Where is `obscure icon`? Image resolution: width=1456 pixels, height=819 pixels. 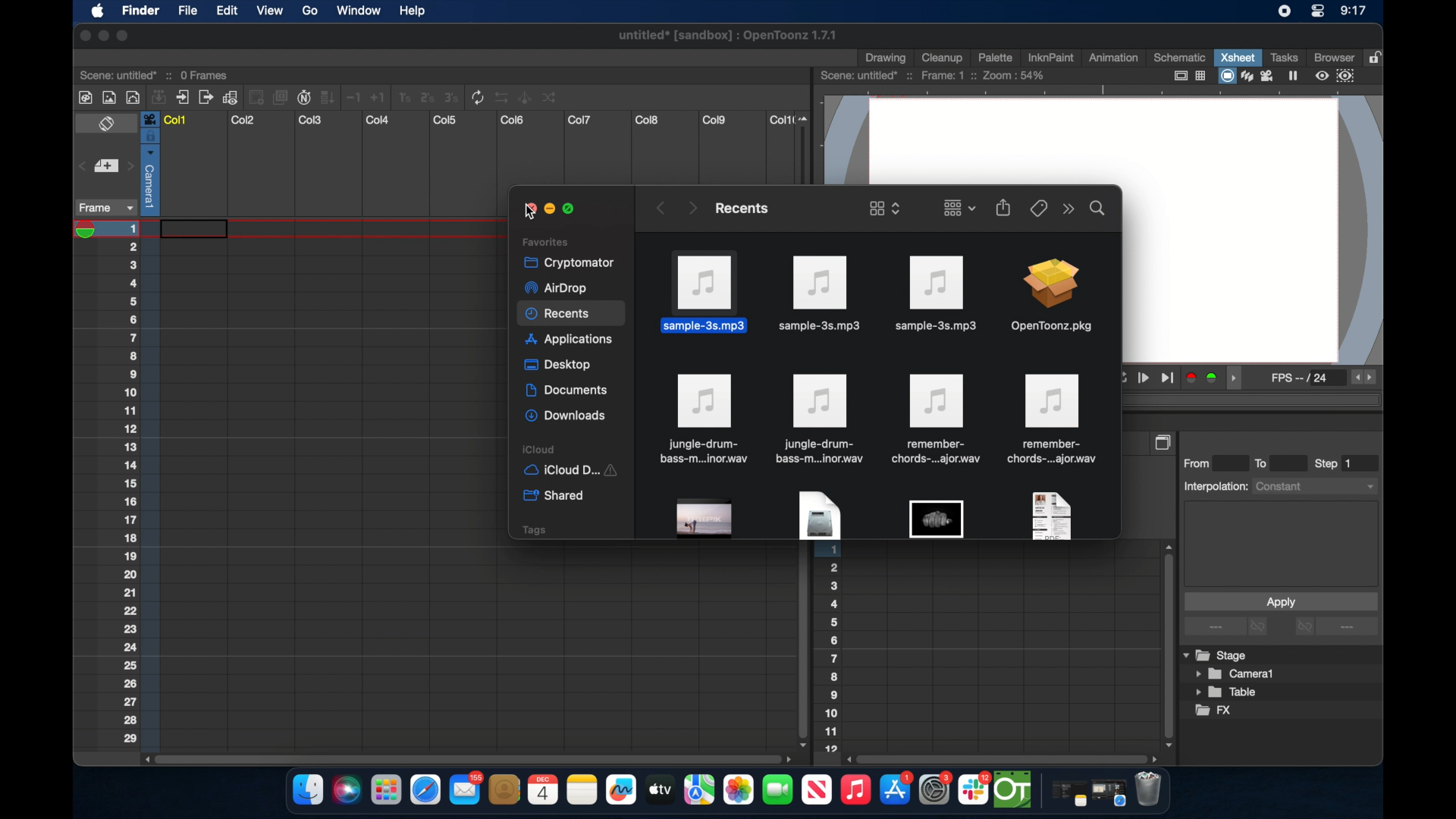 obscure icon is located at coordinates (1050, 515).